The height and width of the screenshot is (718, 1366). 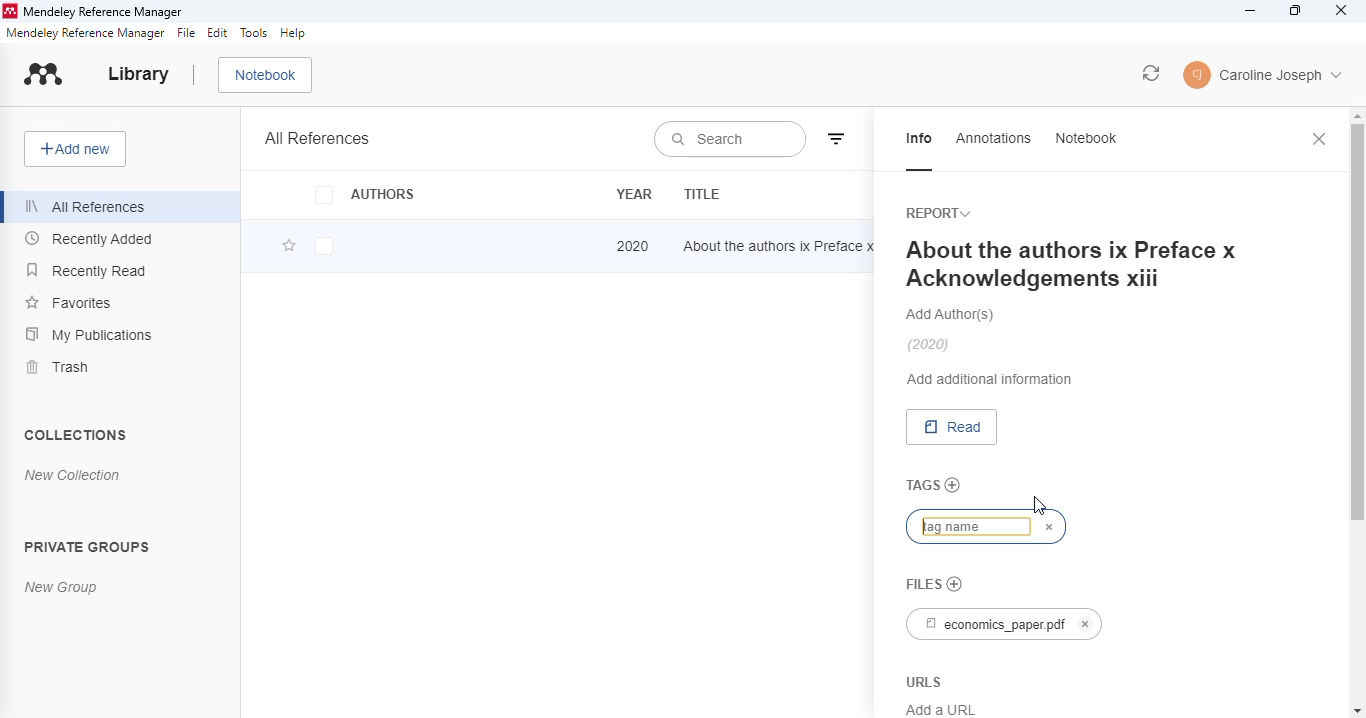 What do you see at coordinates (925, 582) in the screenshot?
I see `files` at bounding box center [925, 582].